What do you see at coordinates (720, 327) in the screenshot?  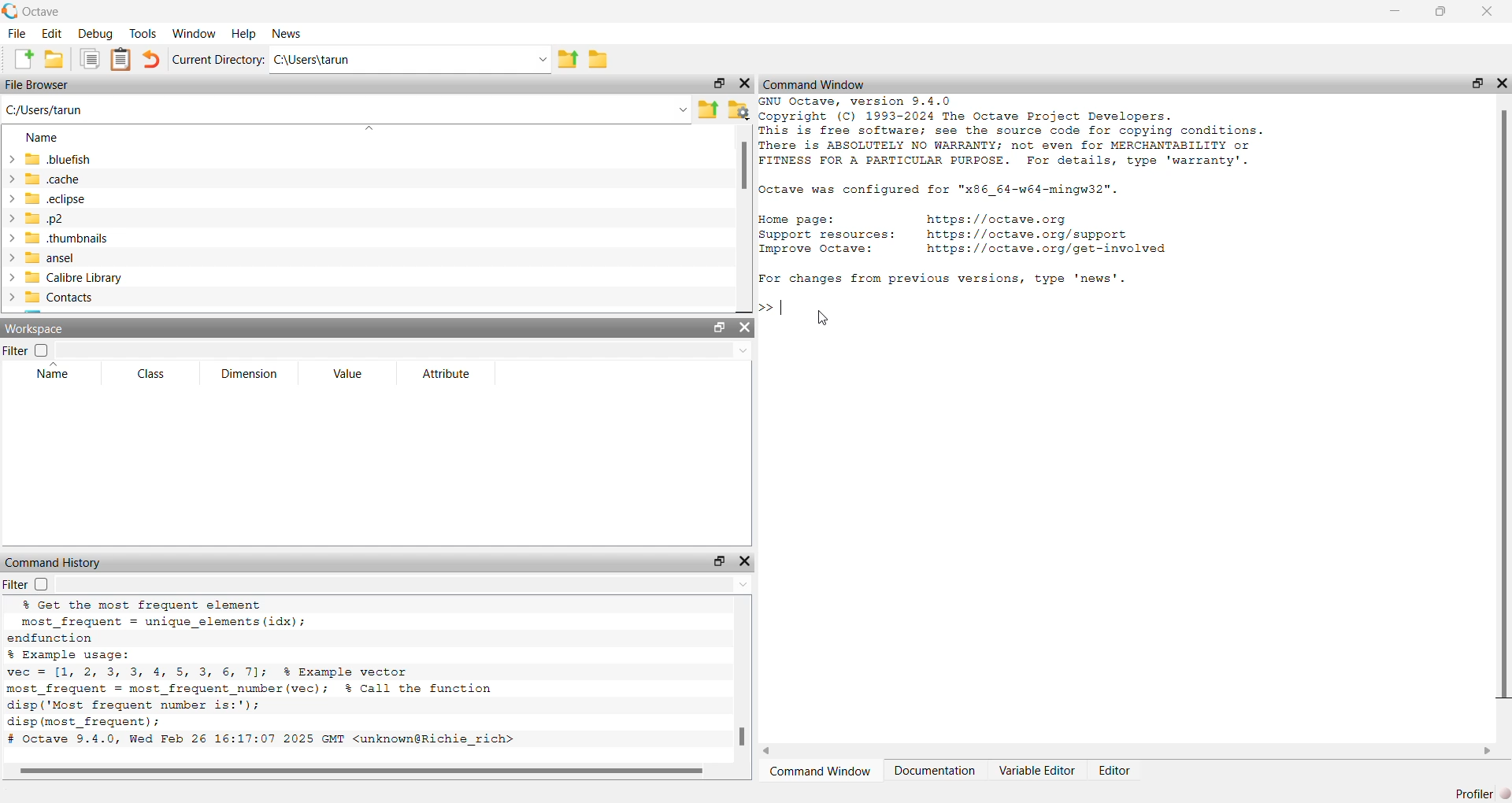 I see `Undock Widget` at bounding box center [720, 327].